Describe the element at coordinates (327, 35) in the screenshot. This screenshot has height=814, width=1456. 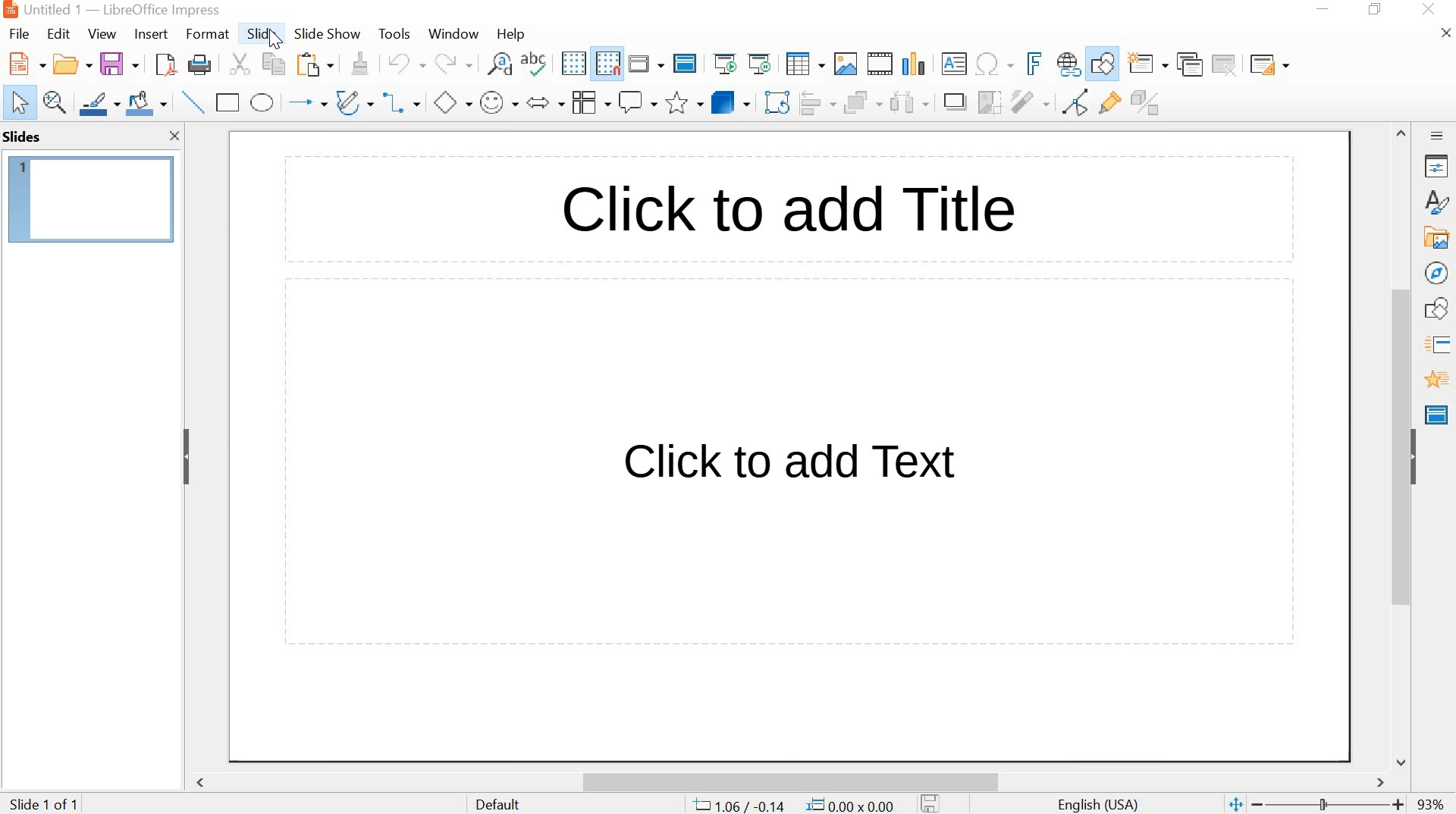
I see `SLIDE SHOW` at that location.